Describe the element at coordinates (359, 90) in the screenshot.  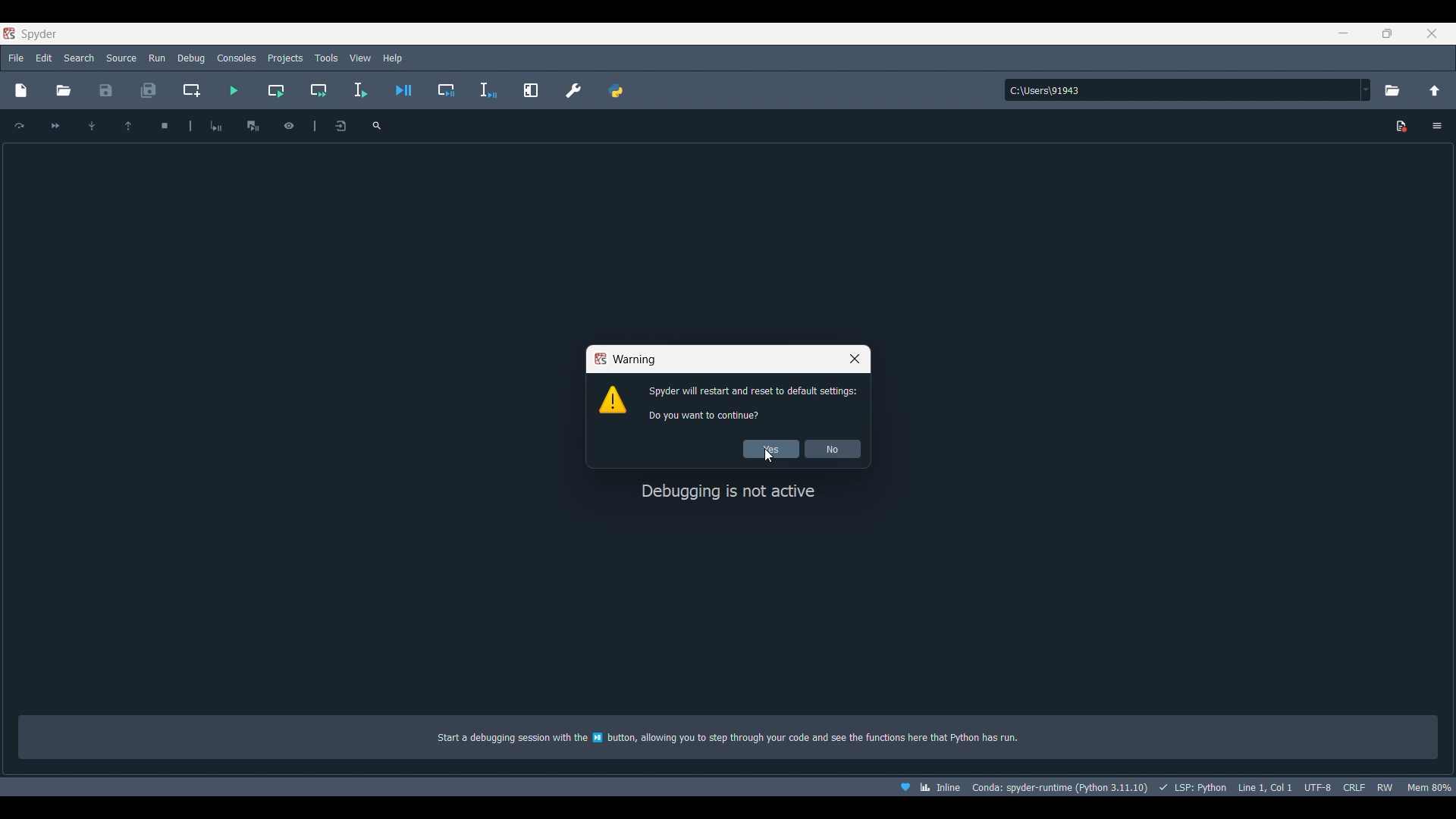
I see `Run selection or current file` at that location.